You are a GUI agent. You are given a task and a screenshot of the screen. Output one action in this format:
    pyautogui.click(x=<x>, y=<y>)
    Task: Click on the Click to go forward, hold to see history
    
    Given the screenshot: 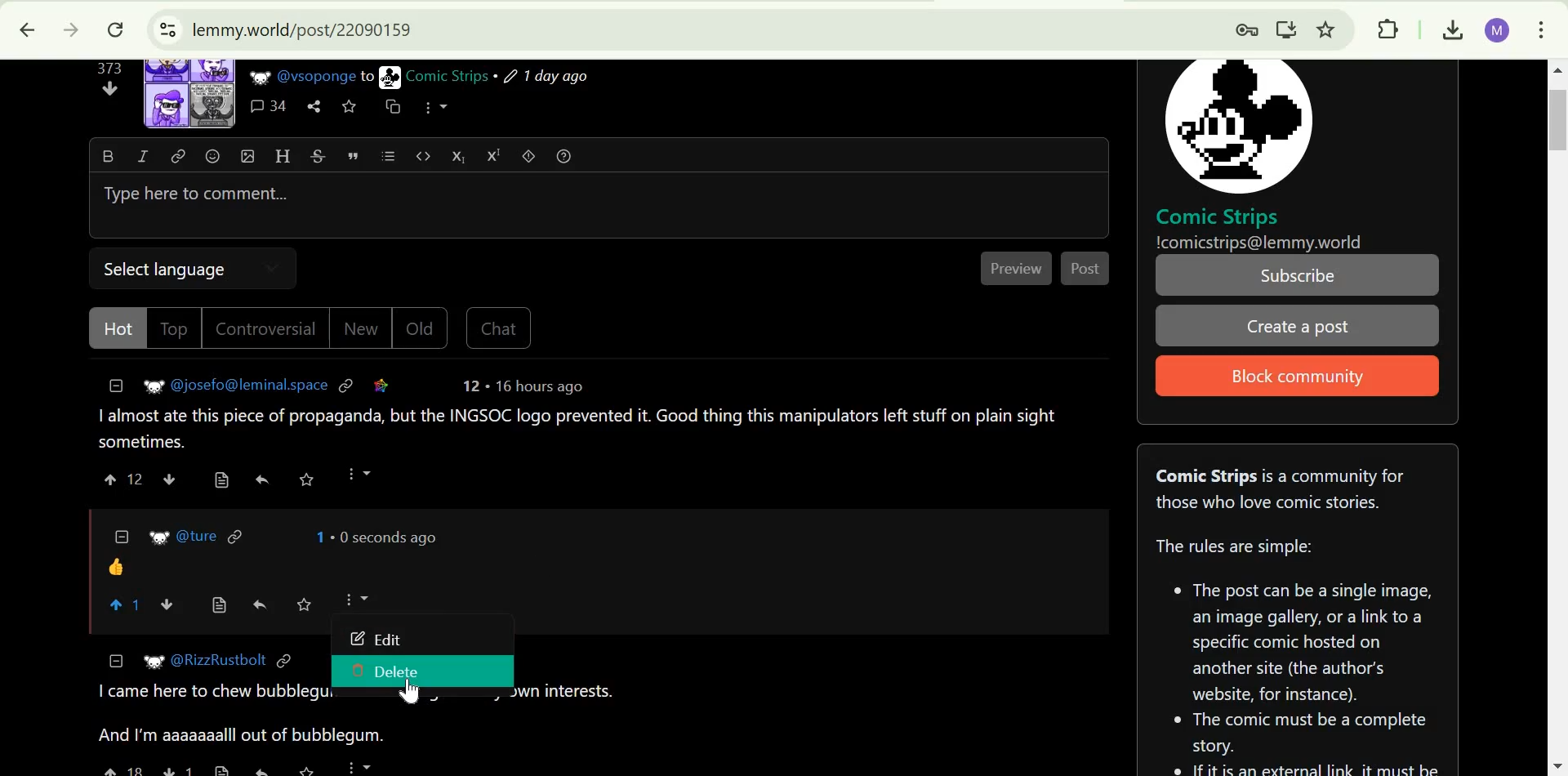 What is the action you would take?
    pyautogui.click(x=68, y=30)
    